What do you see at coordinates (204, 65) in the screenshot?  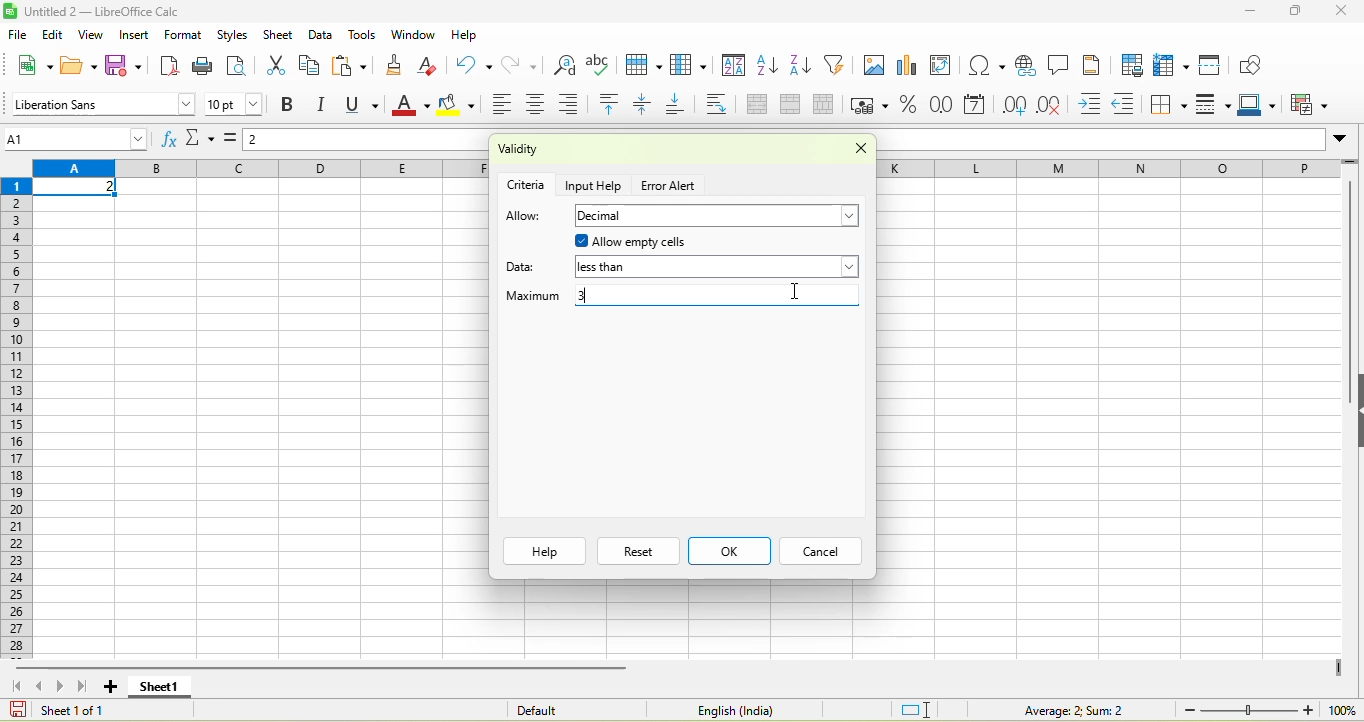 I see `print` at bounding box center [204, 65].